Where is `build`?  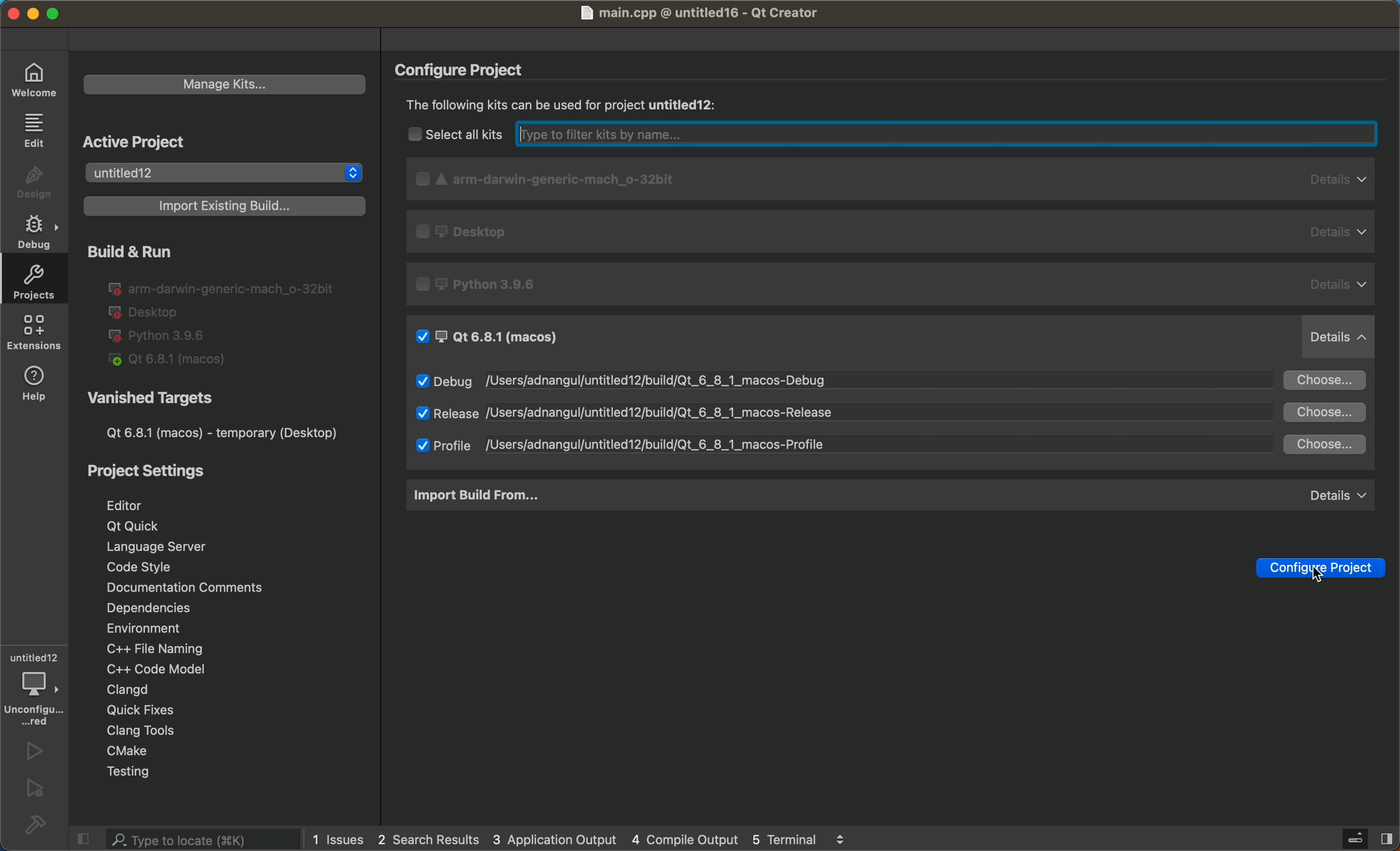 build is located at coordinates (35, 825).